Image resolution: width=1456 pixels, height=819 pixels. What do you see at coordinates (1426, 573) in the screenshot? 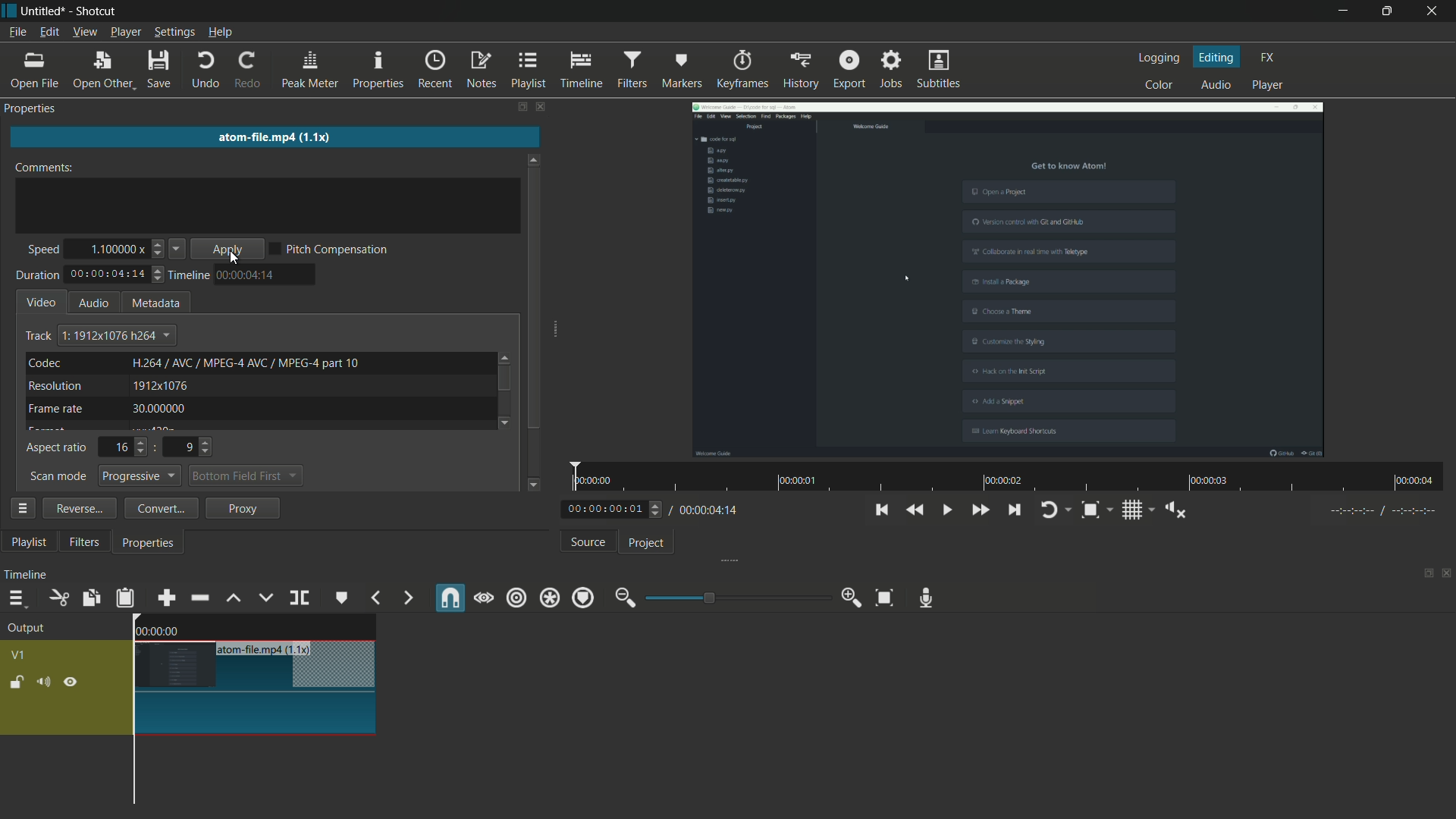
I see `change layout` at bounding box center [1426, 573].